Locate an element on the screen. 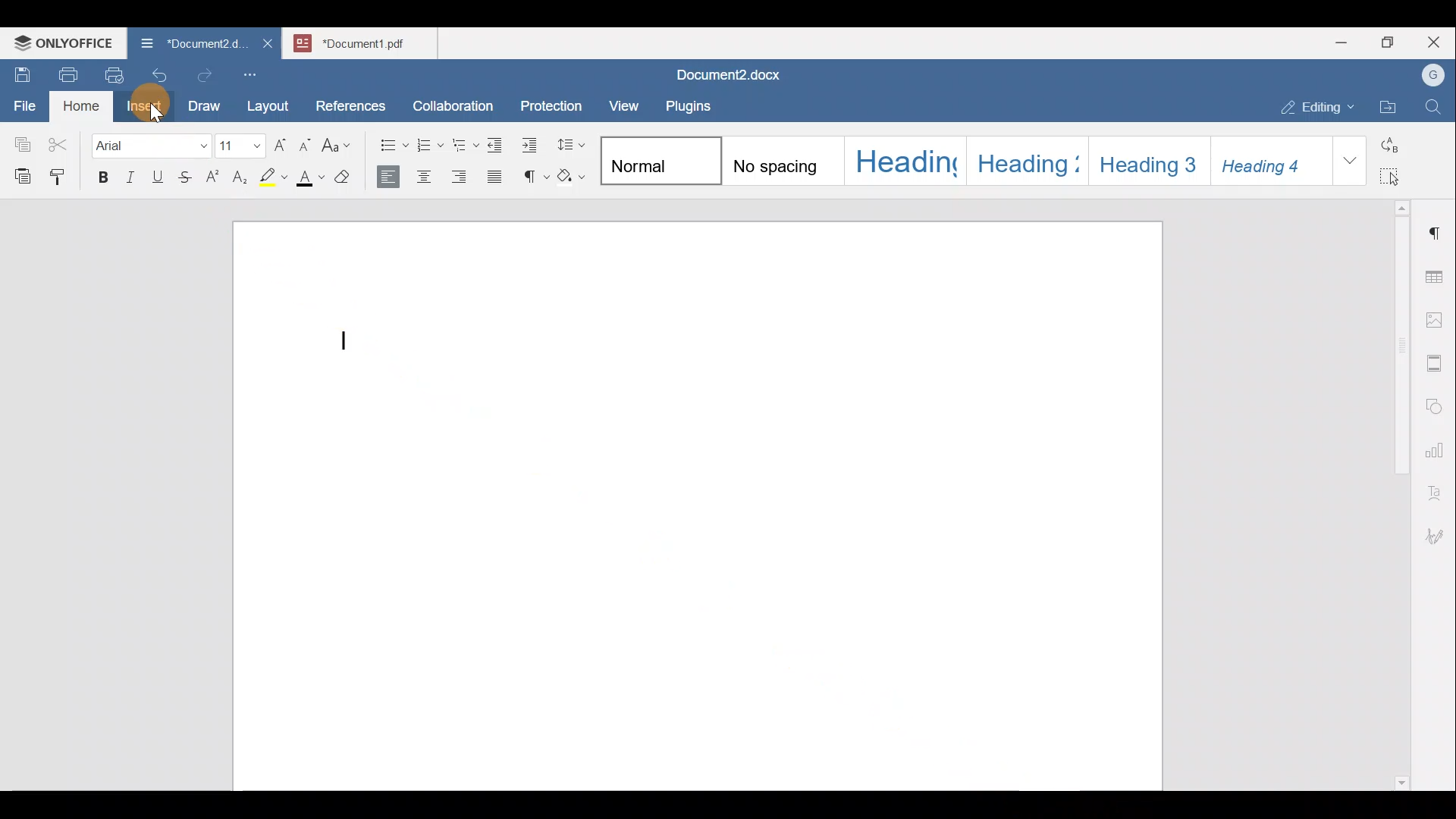 The image size is (1456, 819). Align center is located at coordinates (425, 175).